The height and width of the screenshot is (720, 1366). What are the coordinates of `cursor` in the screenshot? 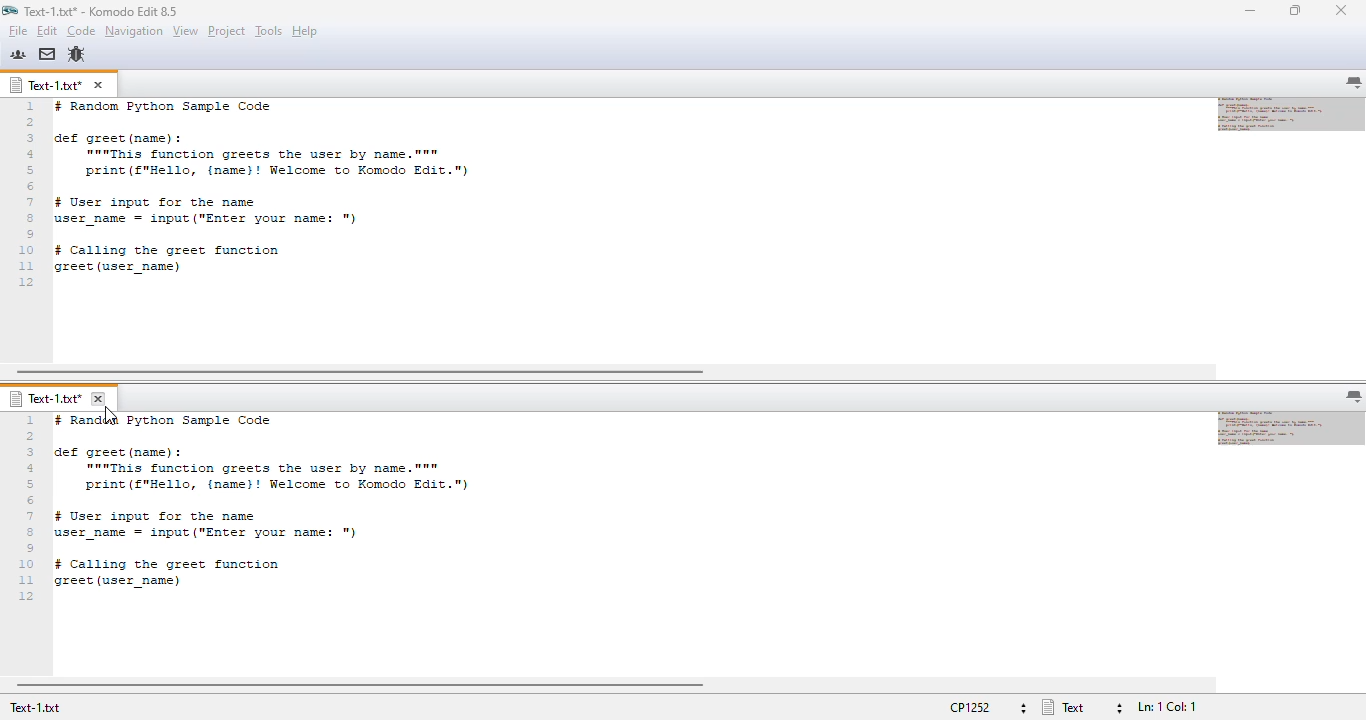 It's located at (109, 416).